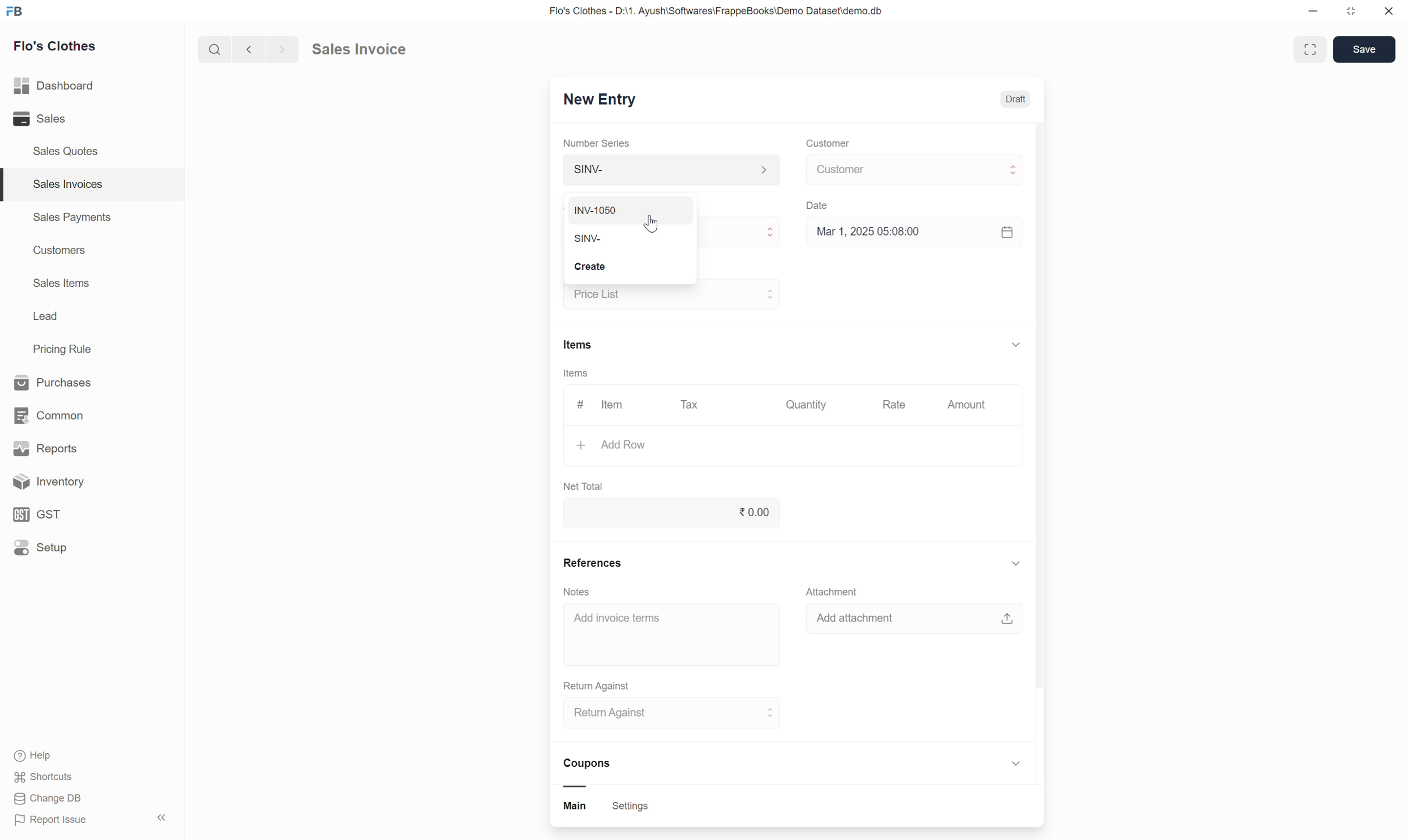 The image size is (1408, 840). What do you see at coordinates (820, 207) in the screenshot?
I see `Date` at bounding box center [820, 207].